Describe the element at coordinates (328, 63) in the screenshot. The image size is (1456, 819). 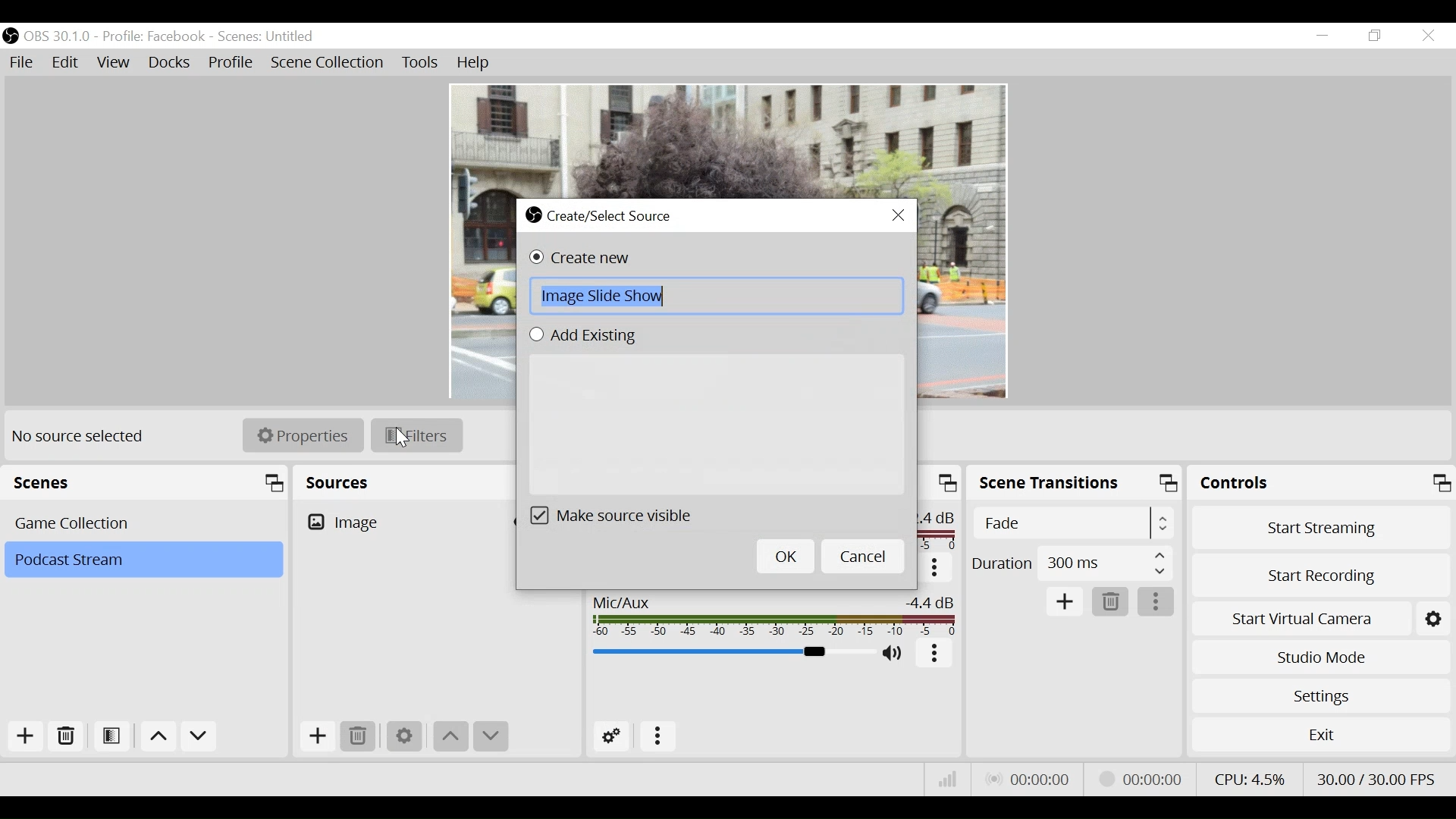
I see `Scene Collection` at that location.